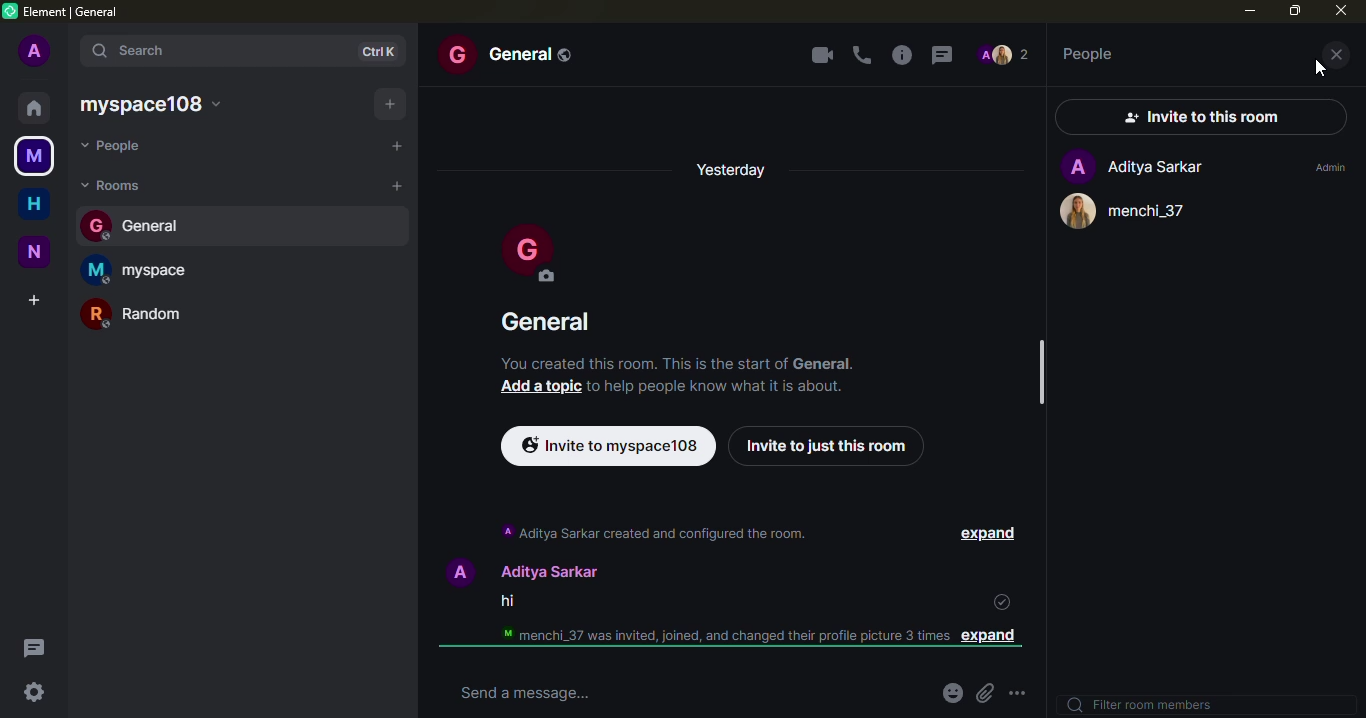 The width and height of the screenshot is (1366, 718). Describe the element at coordinates (823, 55) in the screenshot. I see `video call` at that location.